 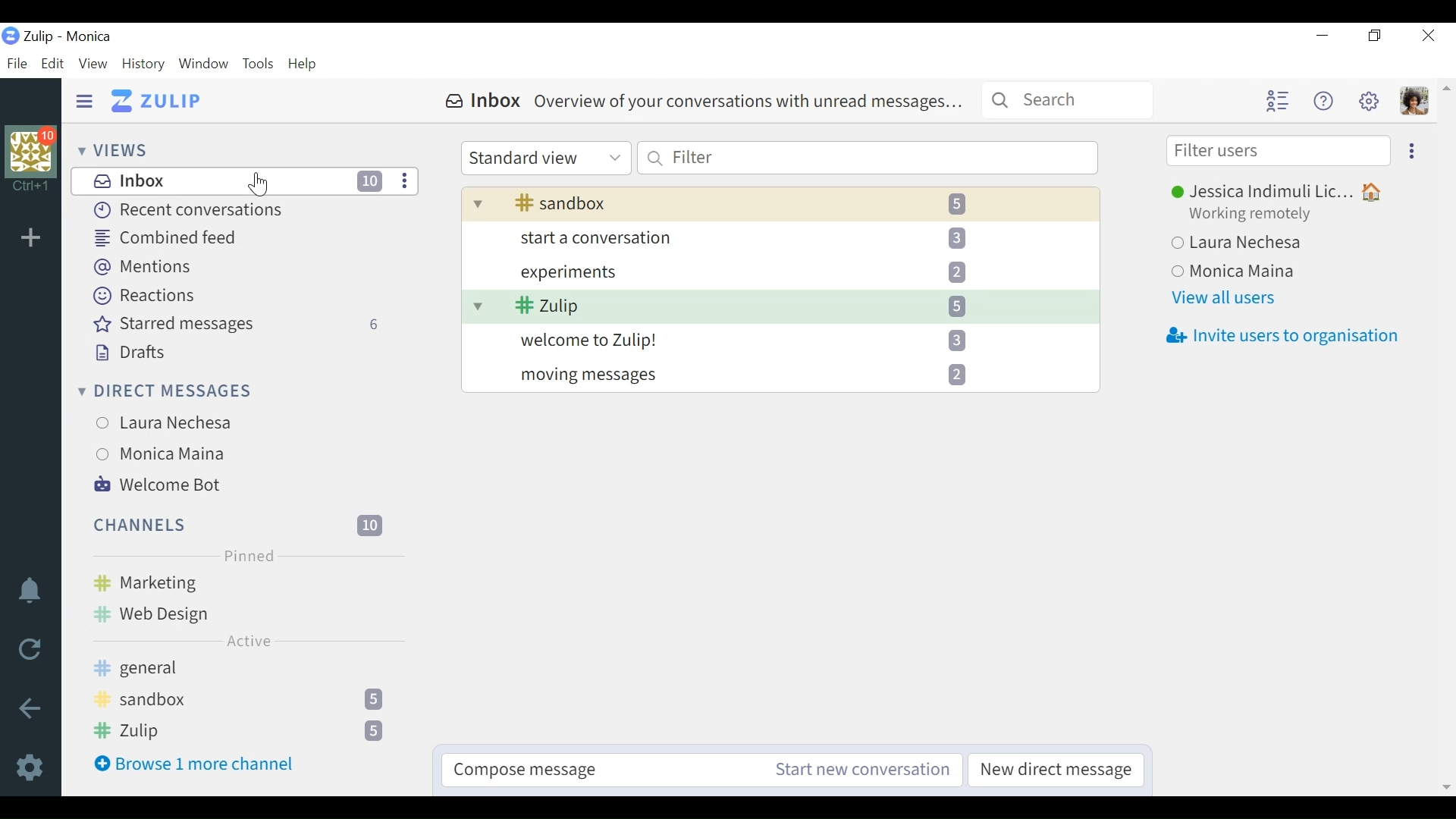 What do you see at coordinates (780, 270) in the screenshot?
I see `Overview of your conversations with unread messages` at bounding box center [780, 270].